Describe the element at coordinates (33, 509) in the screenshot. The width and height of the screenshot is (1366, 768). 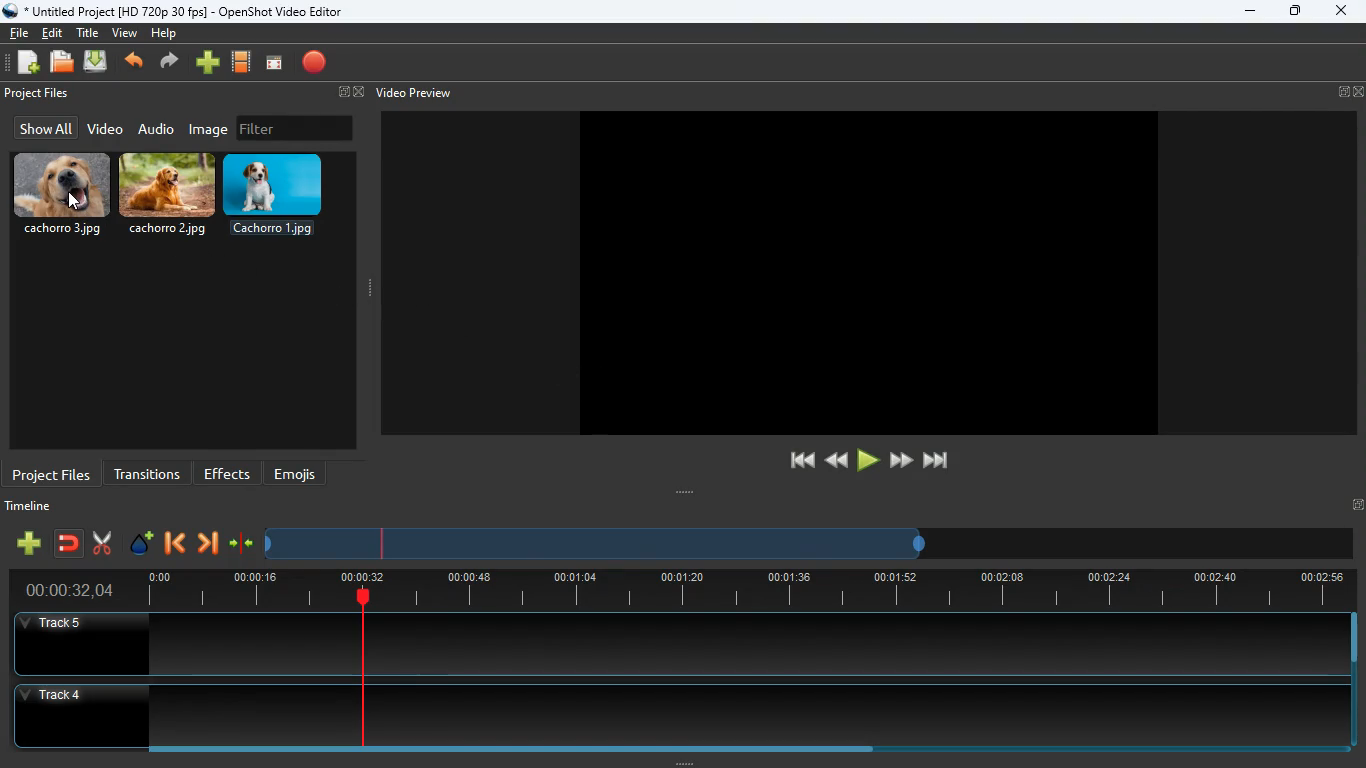
I see `timeline` at that location.